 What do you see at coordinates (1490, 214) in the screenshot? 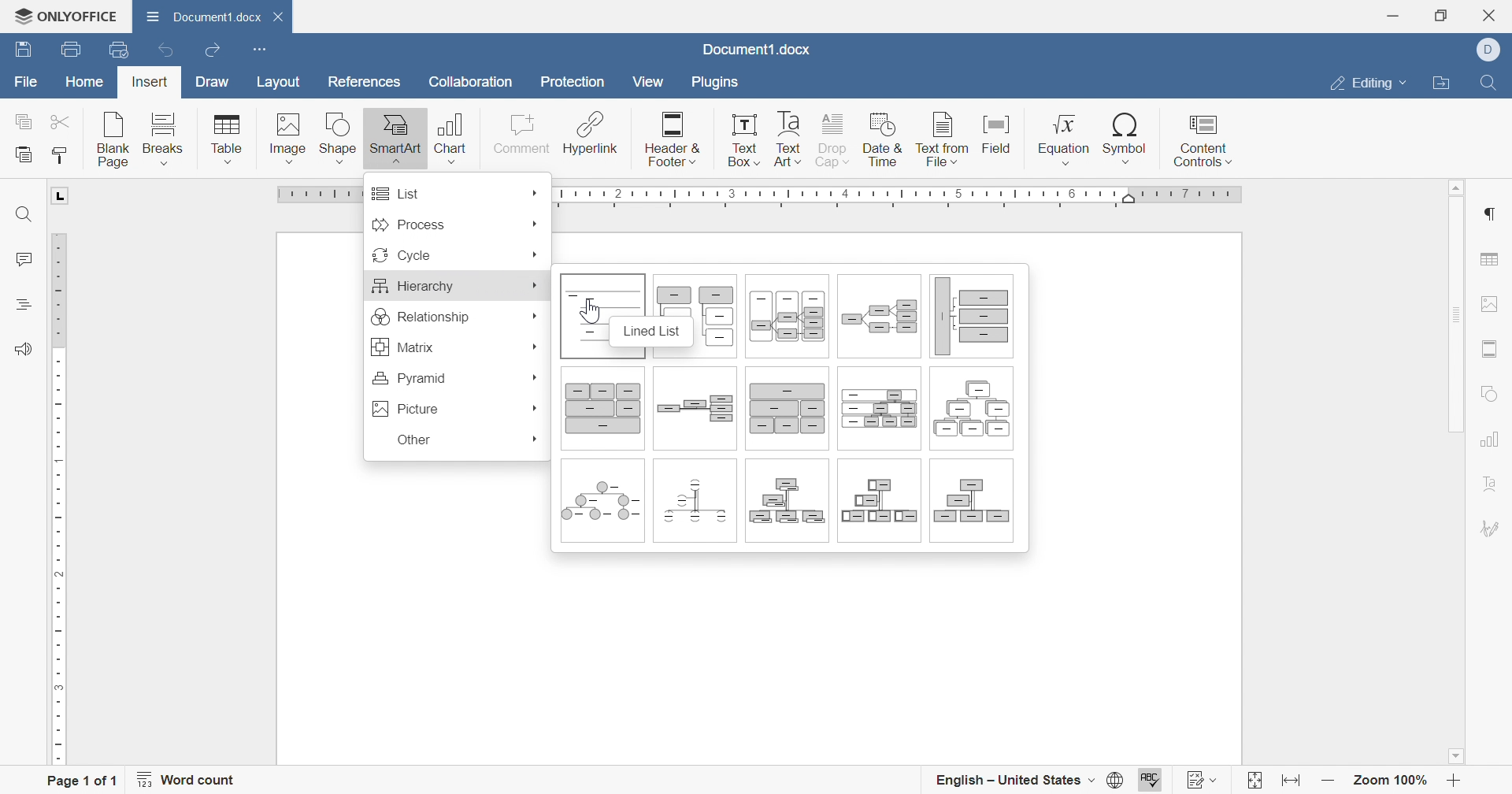
I see `Paragraph settings` at bounding box center [1490, 214].